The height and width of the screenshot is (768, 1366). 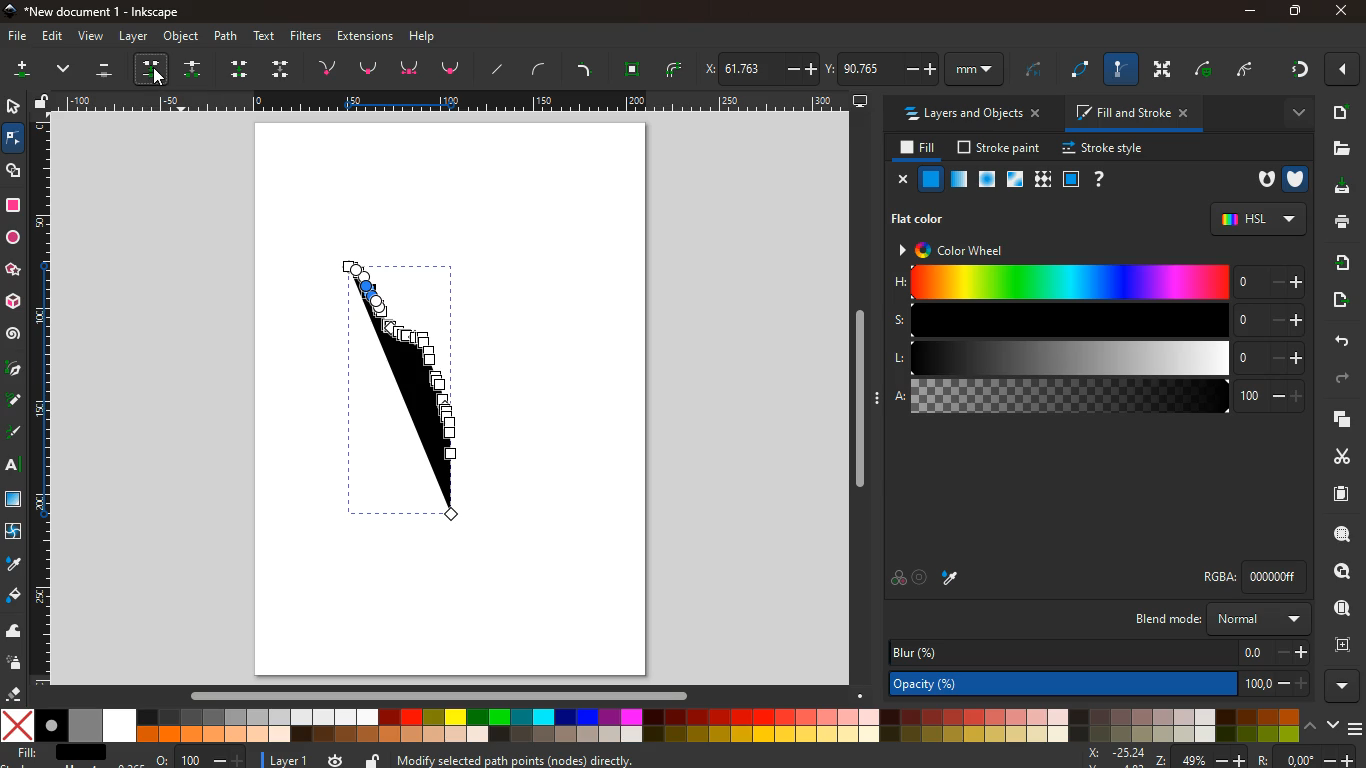 What do you see at coordinates (443, 694) in the screenshot?
I see `horizontal slider` at bounding box center [443, 694].